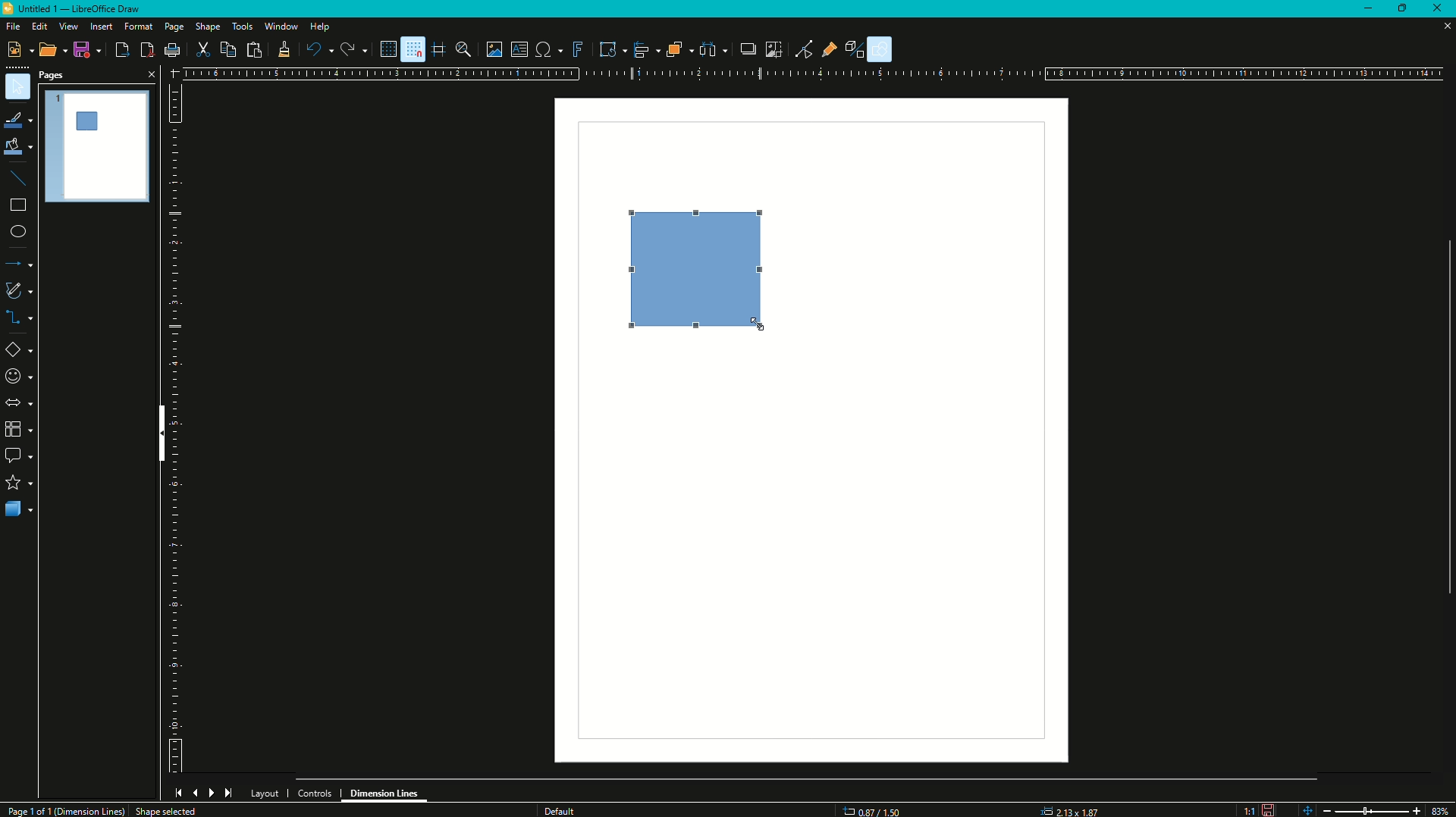  What do you see at coordinates (137, 27) in the screenshot?
I see `Format` at bounding box center [137, 27].